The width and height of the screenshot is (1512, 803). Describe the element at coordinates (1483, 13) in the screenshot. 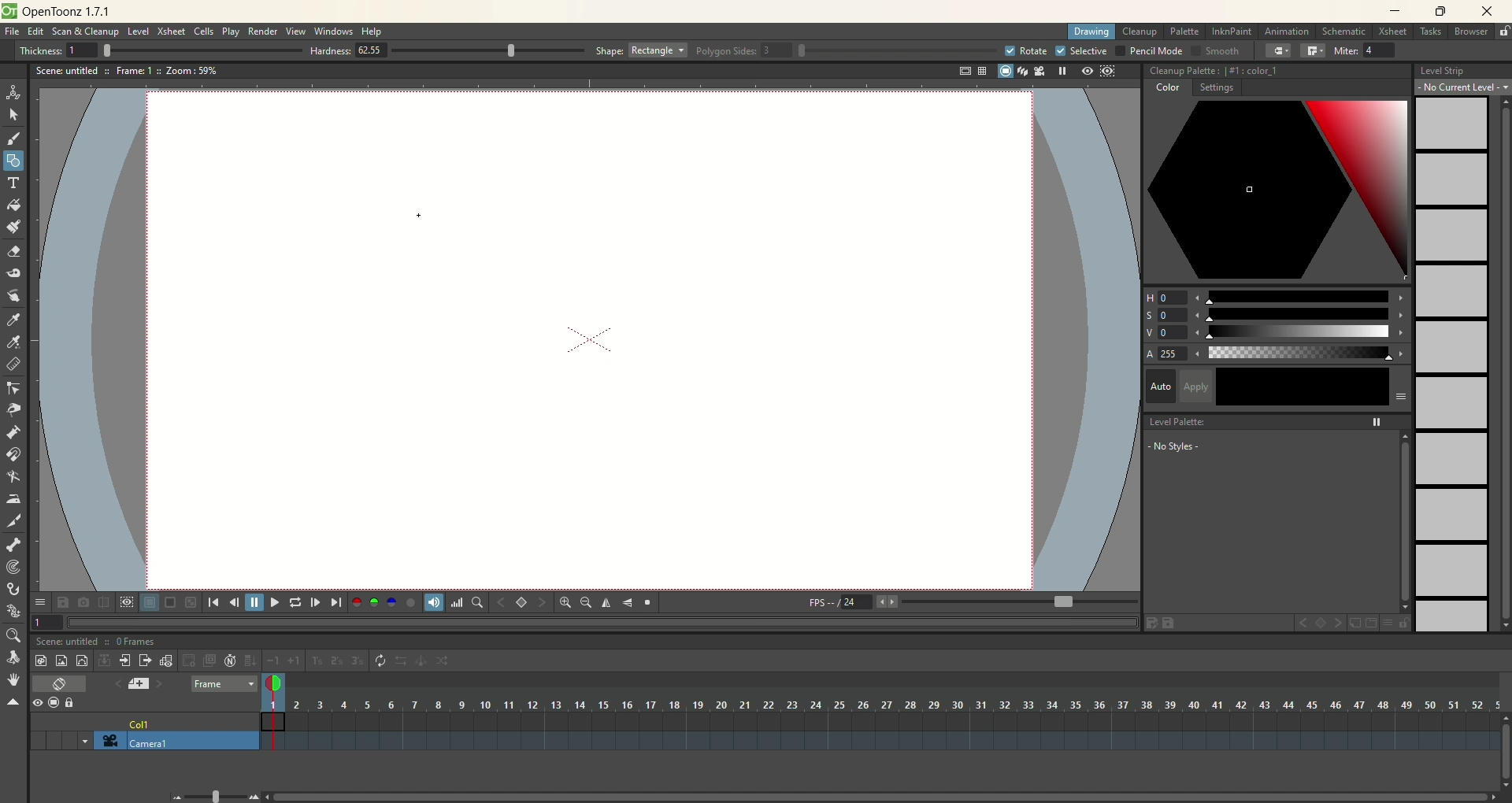

I see `close` at that location.